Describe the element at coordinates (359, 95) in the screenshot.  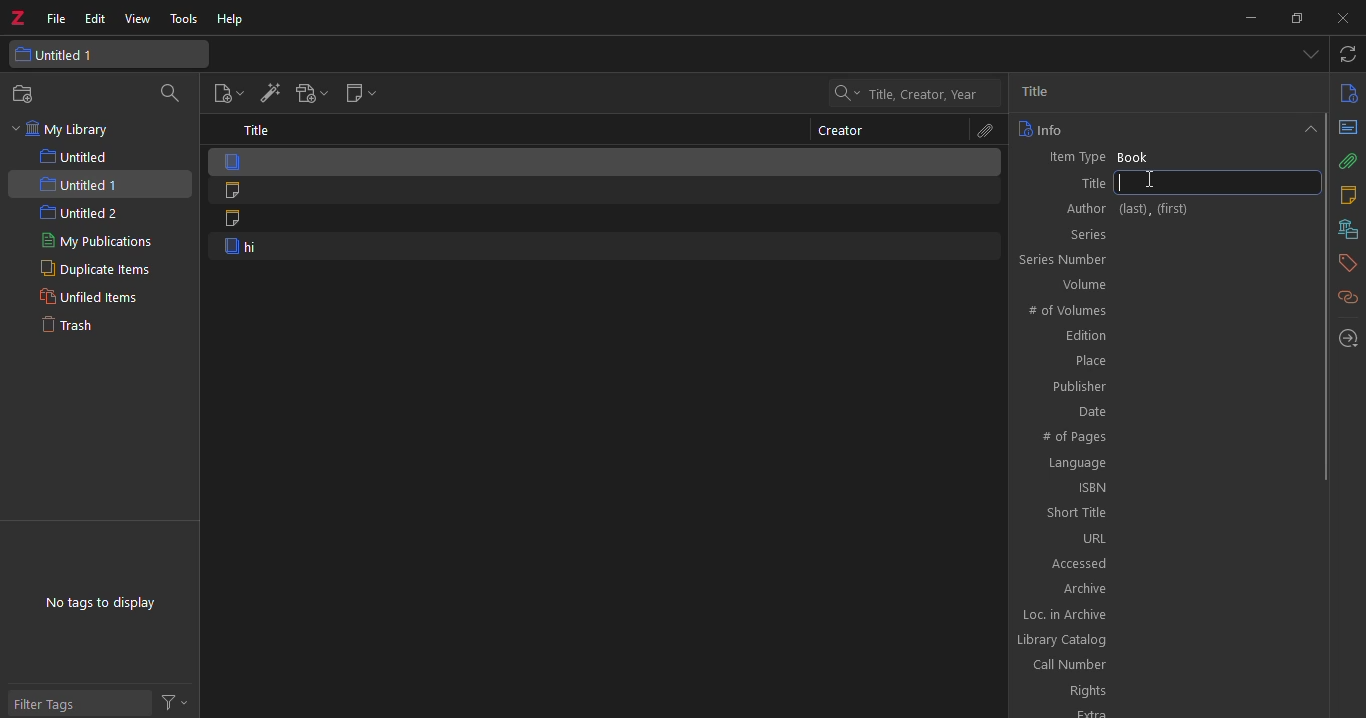
I see `new note` at that location.